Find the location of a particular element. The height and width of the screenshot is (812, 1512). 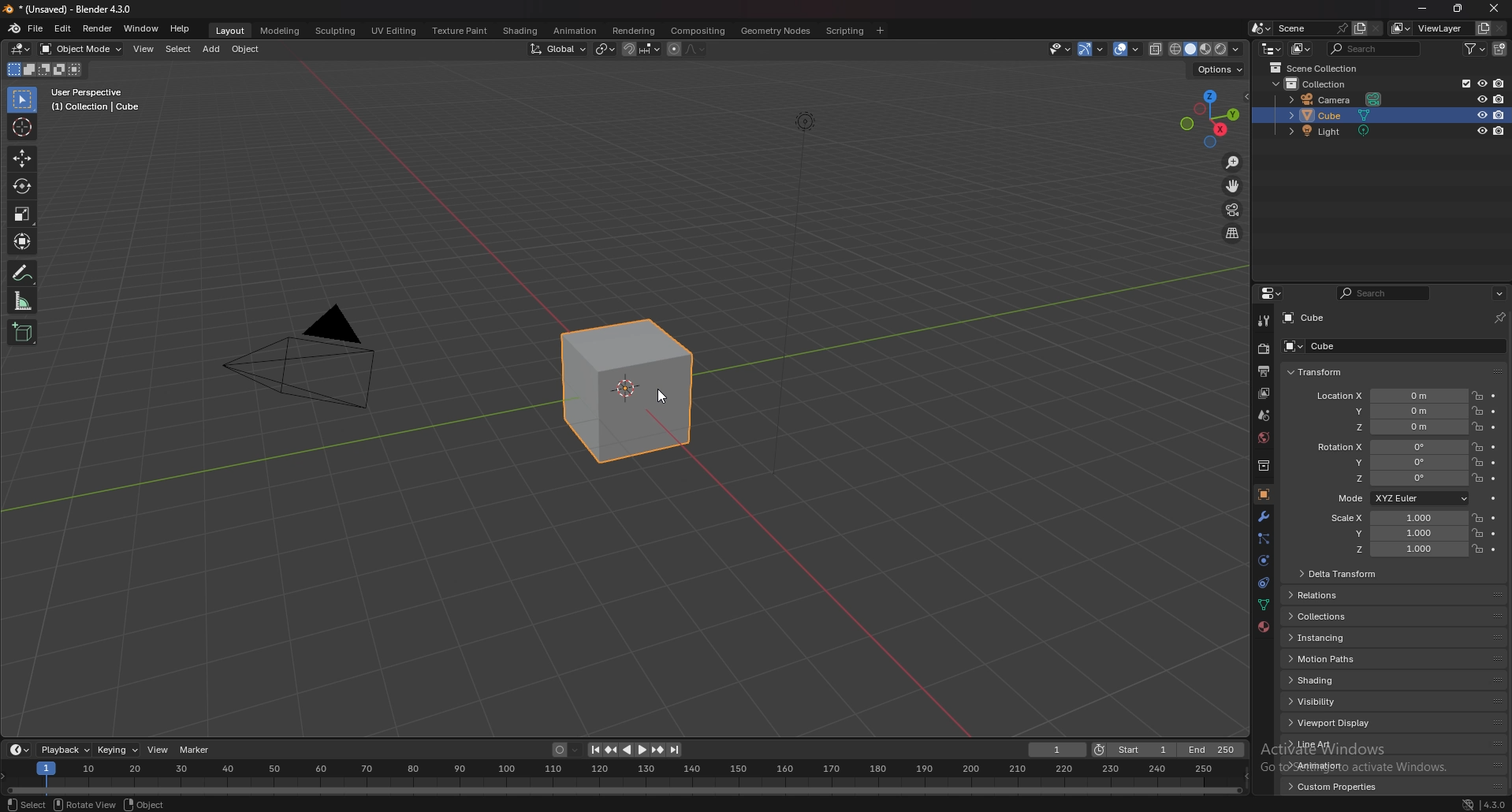

disable in renders is located at coordinates (1499, 98).